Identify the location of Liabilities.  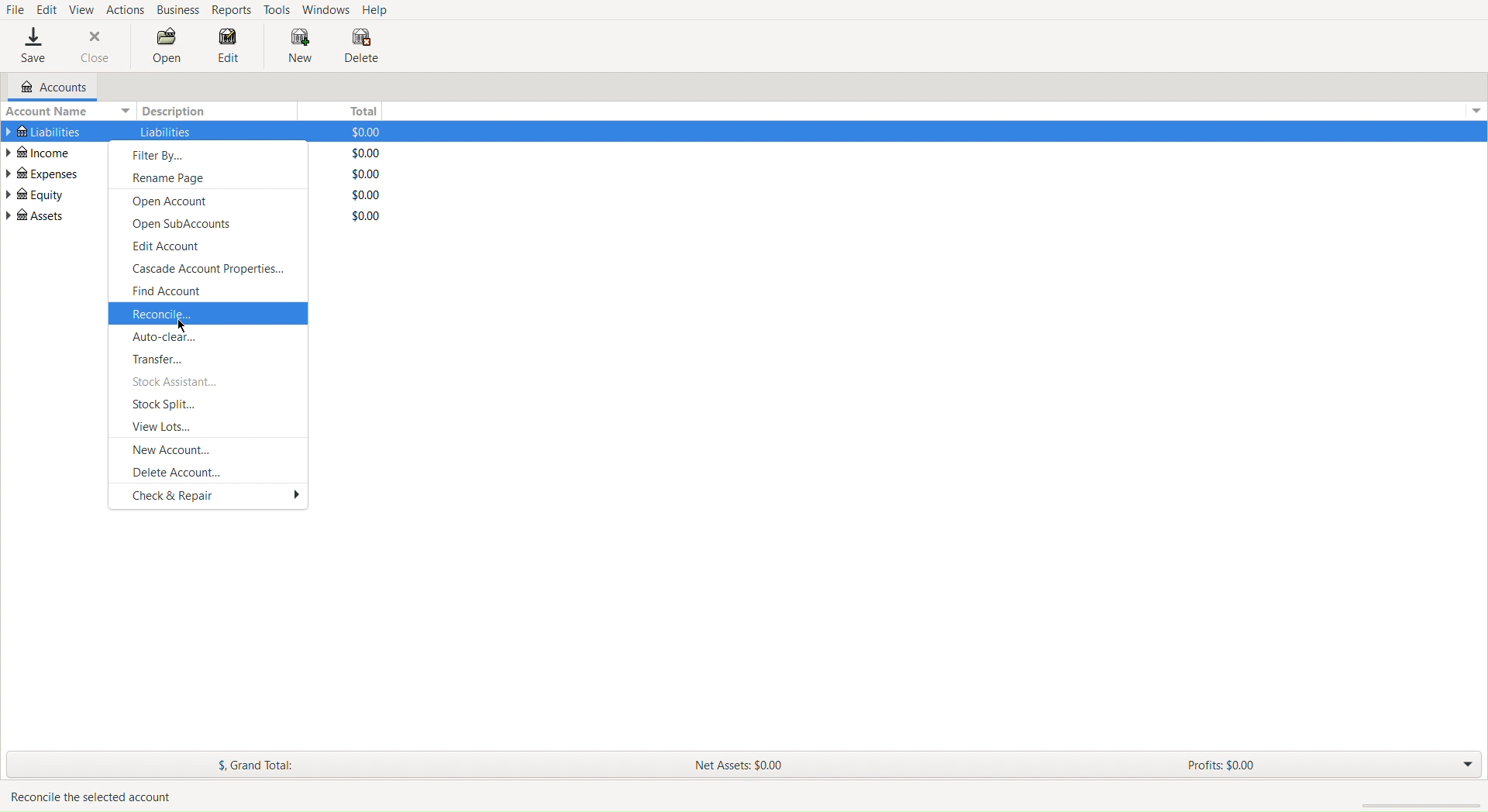
(42, 132).